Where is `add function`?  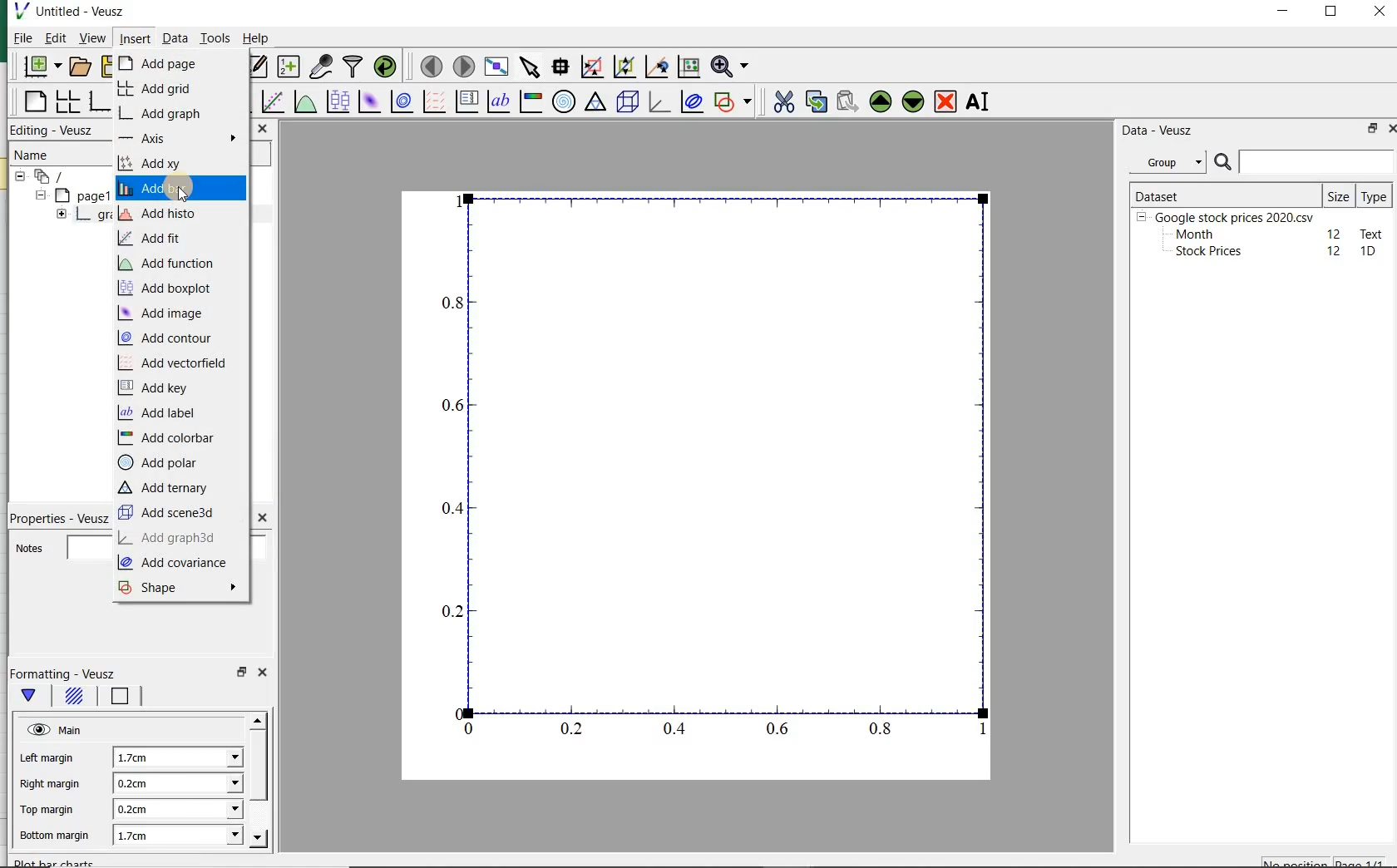
add function is located at coordinates (167, 263).